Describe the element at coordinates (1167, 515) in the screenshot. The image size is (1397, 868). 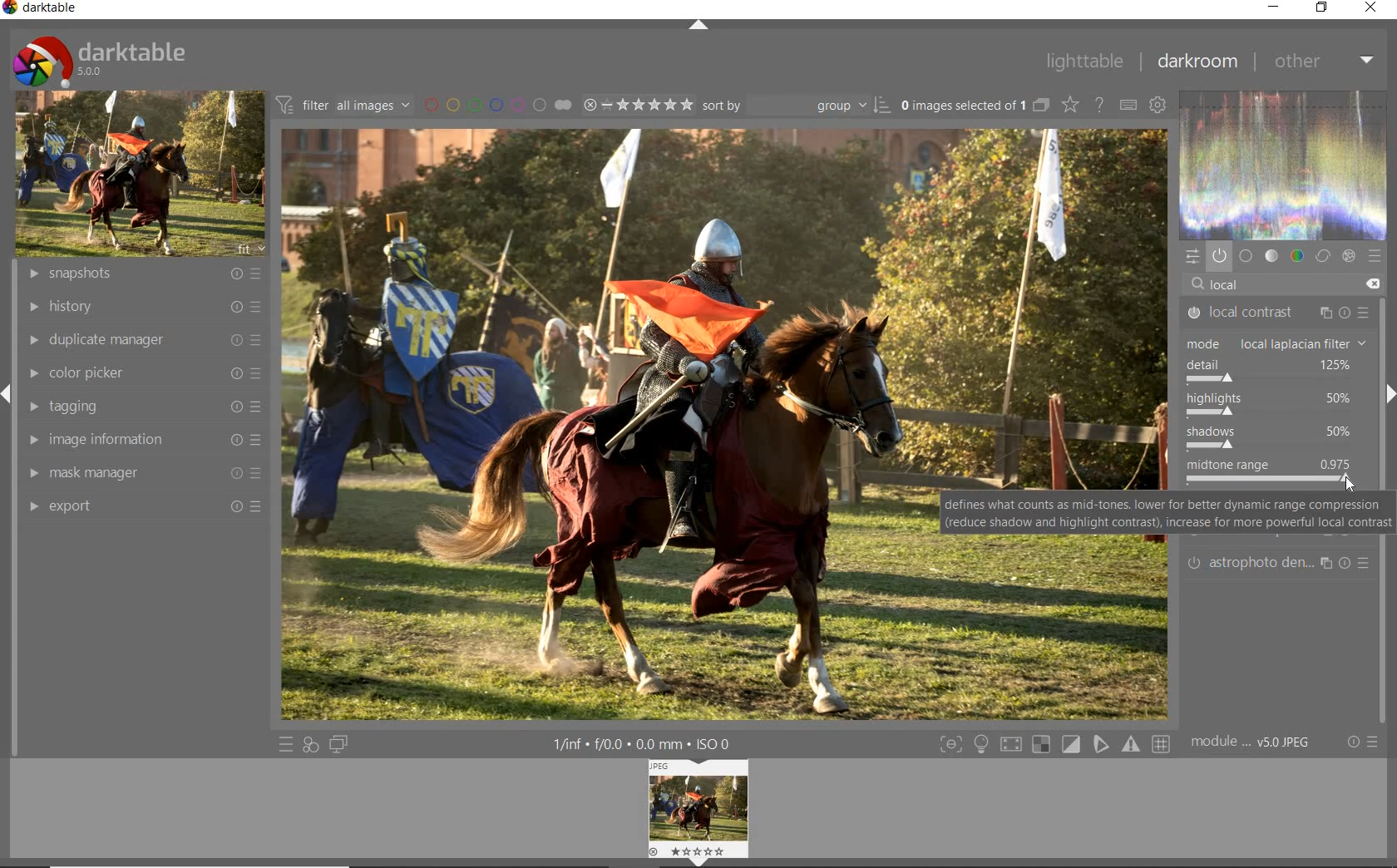
I see `| defines what counts as mid-tones. lower for better dynamic range compression
(reduce shadow and highlight contrast), increase for more powerful local contrast` at that location.